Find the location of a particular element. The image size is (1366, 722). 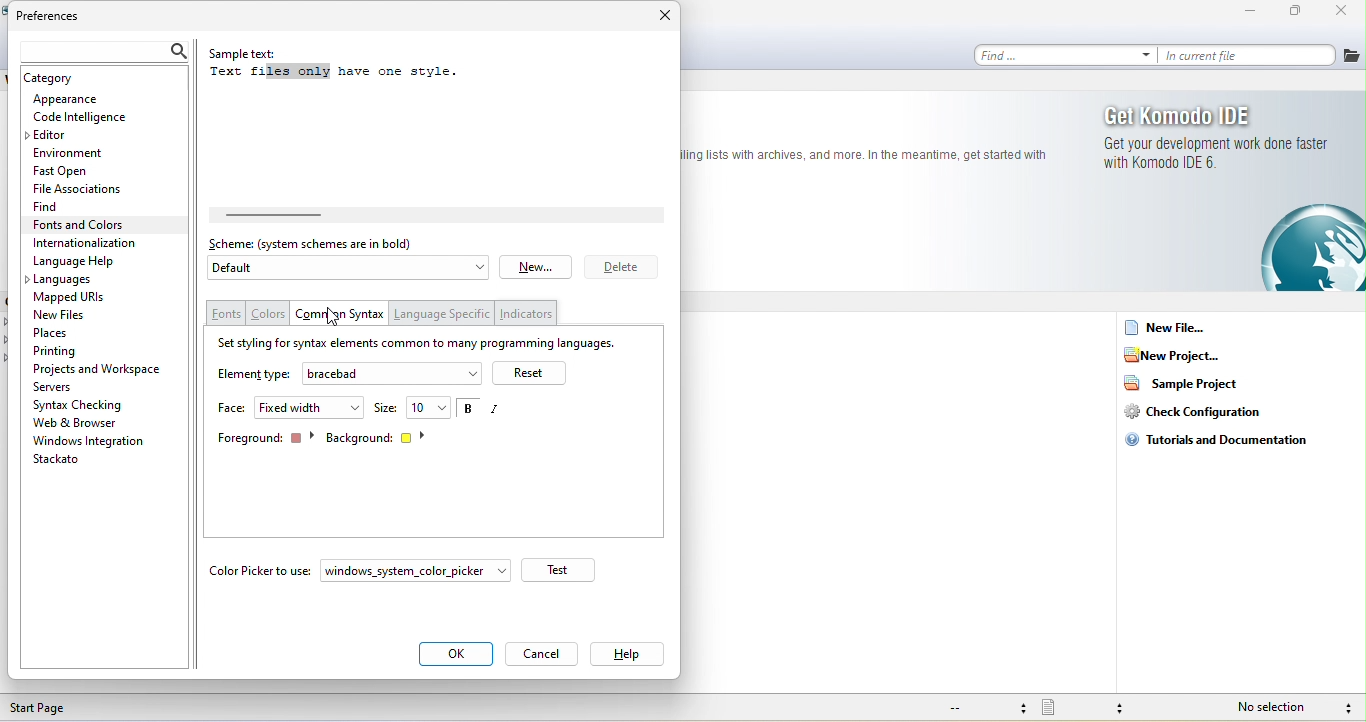

code intelilgence is located at coordinates (95, 118).